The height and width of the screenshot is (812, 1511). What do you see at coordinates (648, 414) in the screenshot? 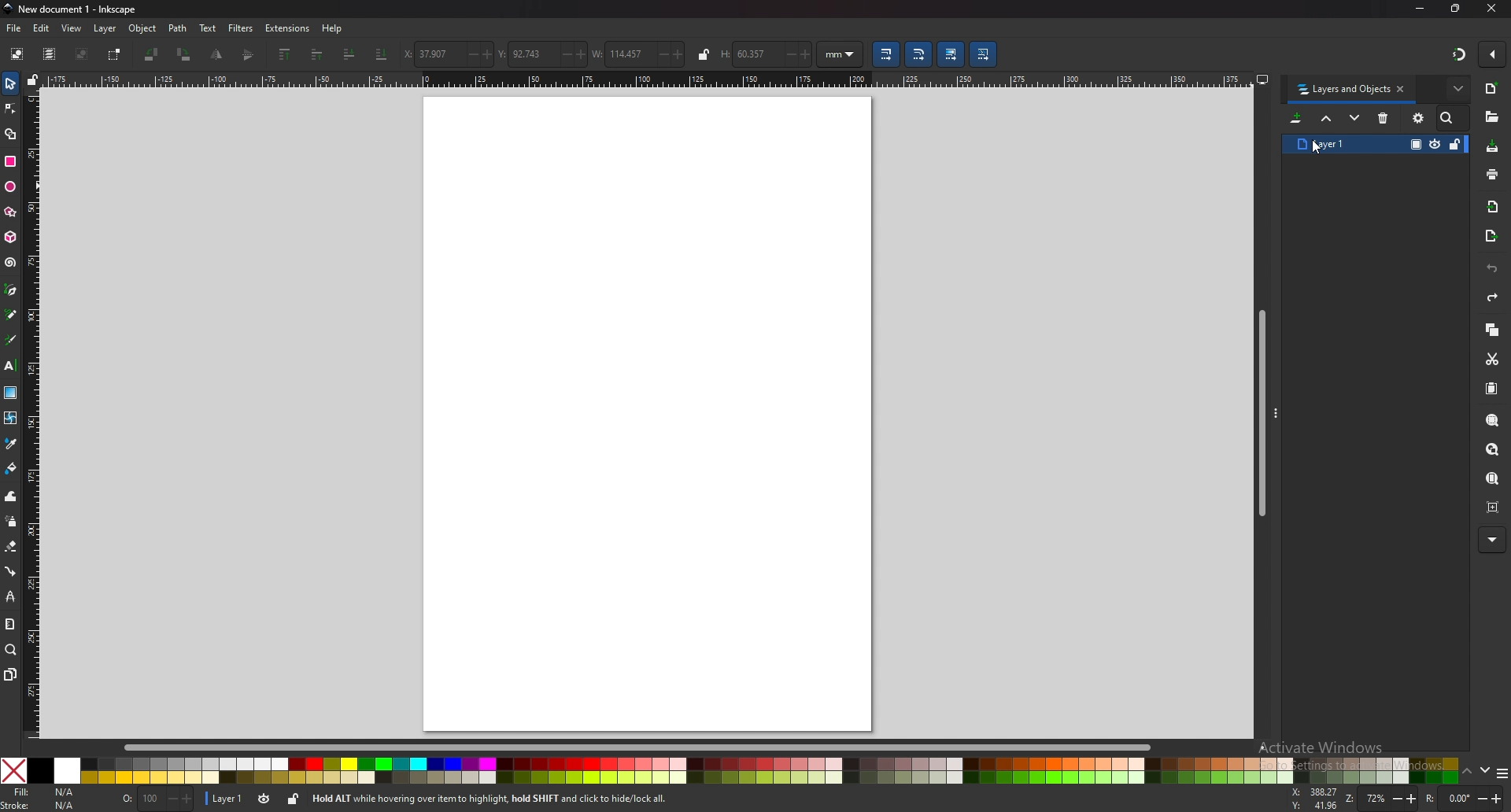
I see `page` at bounding box center [648, 414].